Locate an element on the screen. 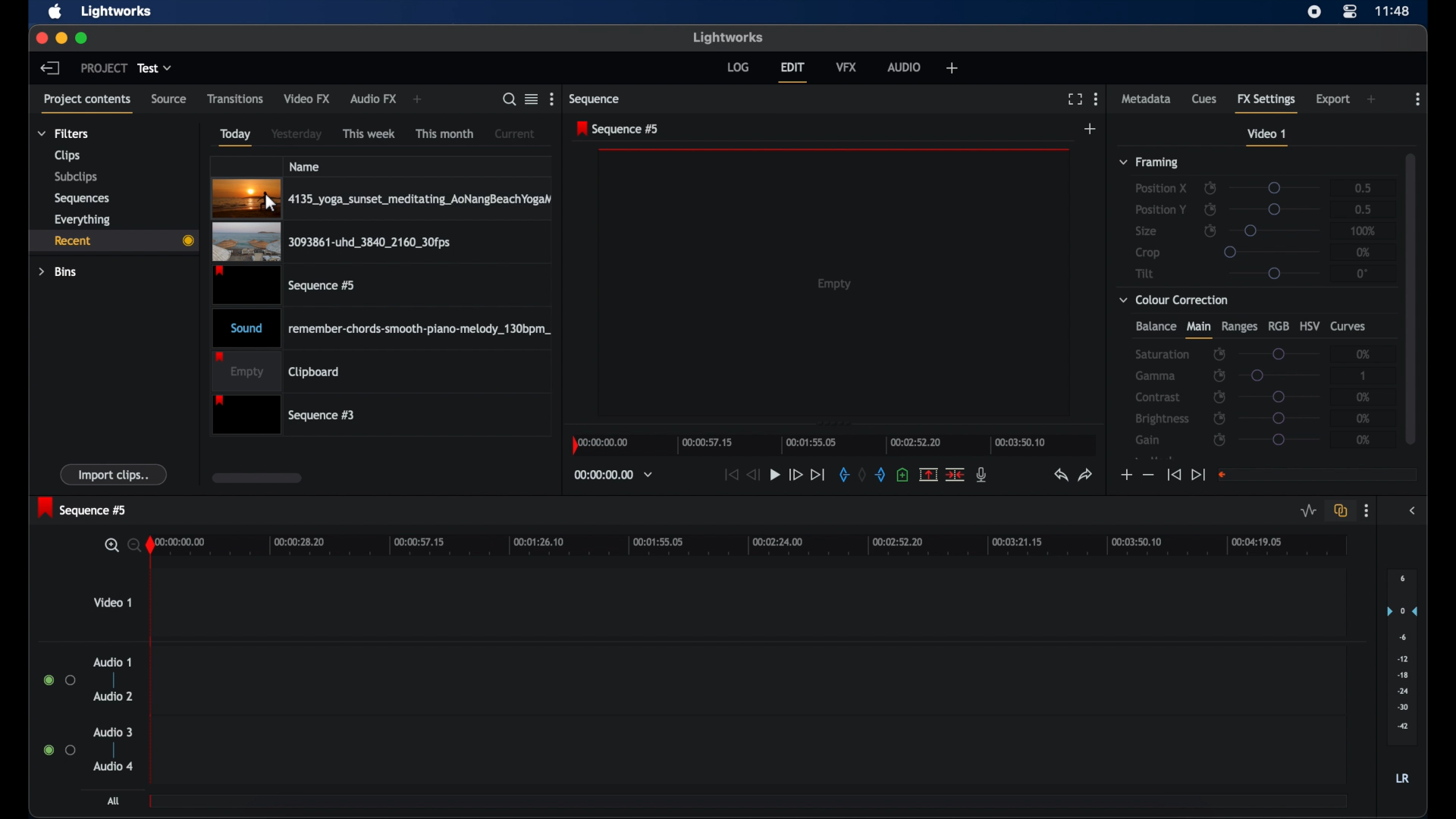 Image resolution: width=1456 pixels, height=819 pixels. radio buttons is located at coordinates (60, 680).